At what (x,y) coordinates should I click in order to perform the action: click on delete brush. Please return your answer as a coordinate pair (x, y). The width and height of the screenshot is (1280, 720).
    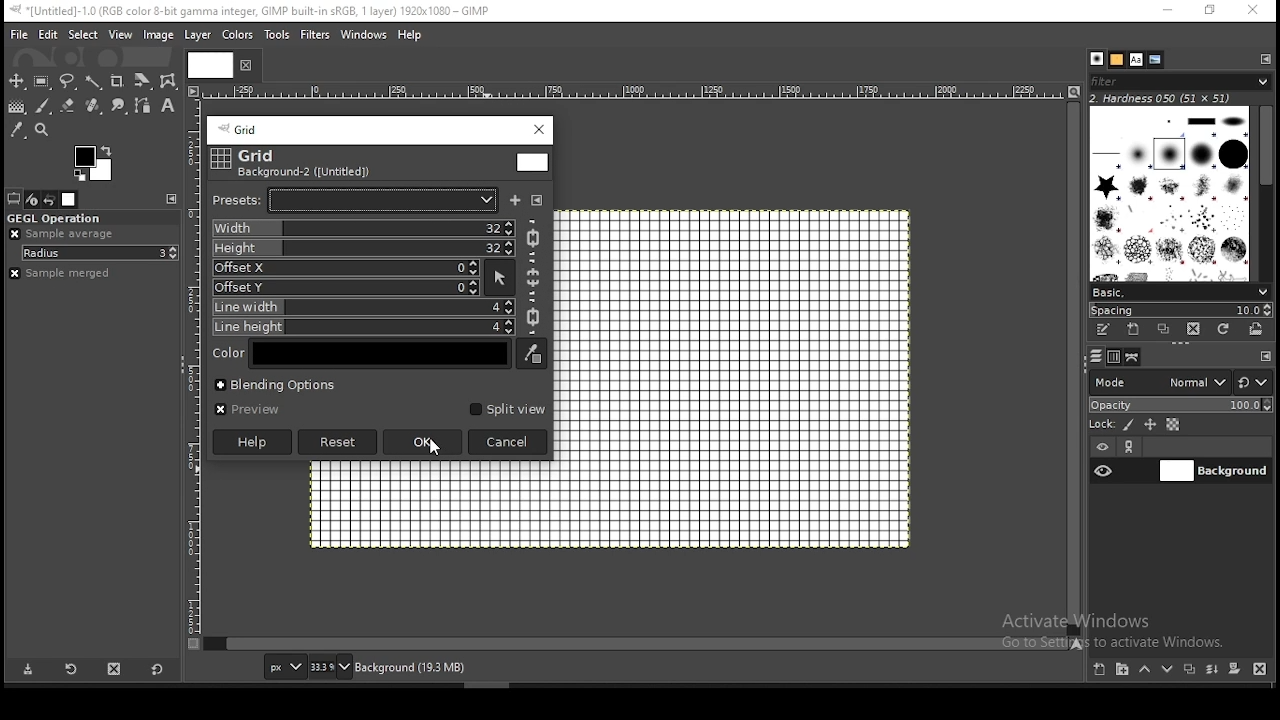
    Looking at the image, I should click on (1194, 330).